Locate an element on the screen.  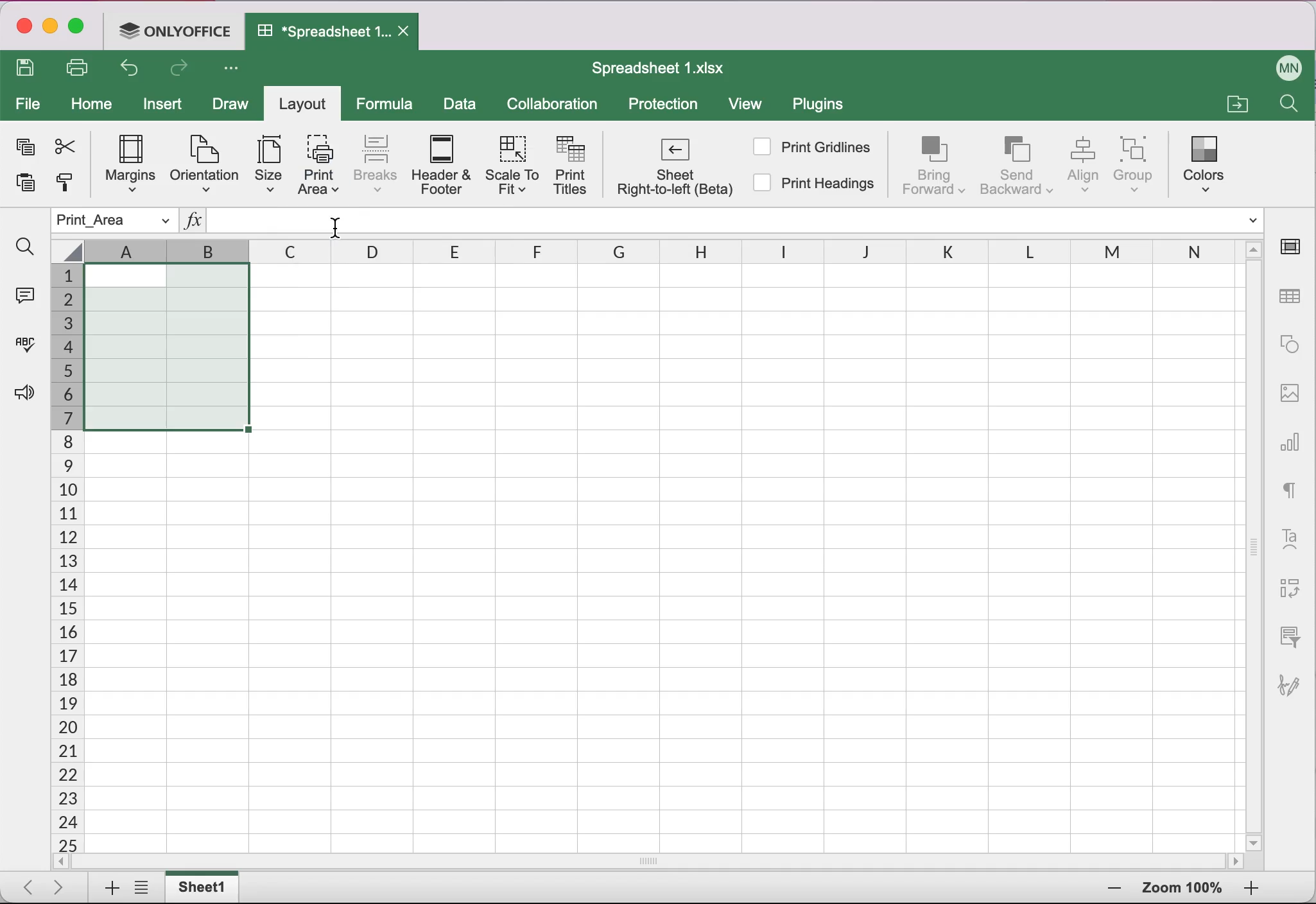
spell checking is located at coordinates (22, 349).